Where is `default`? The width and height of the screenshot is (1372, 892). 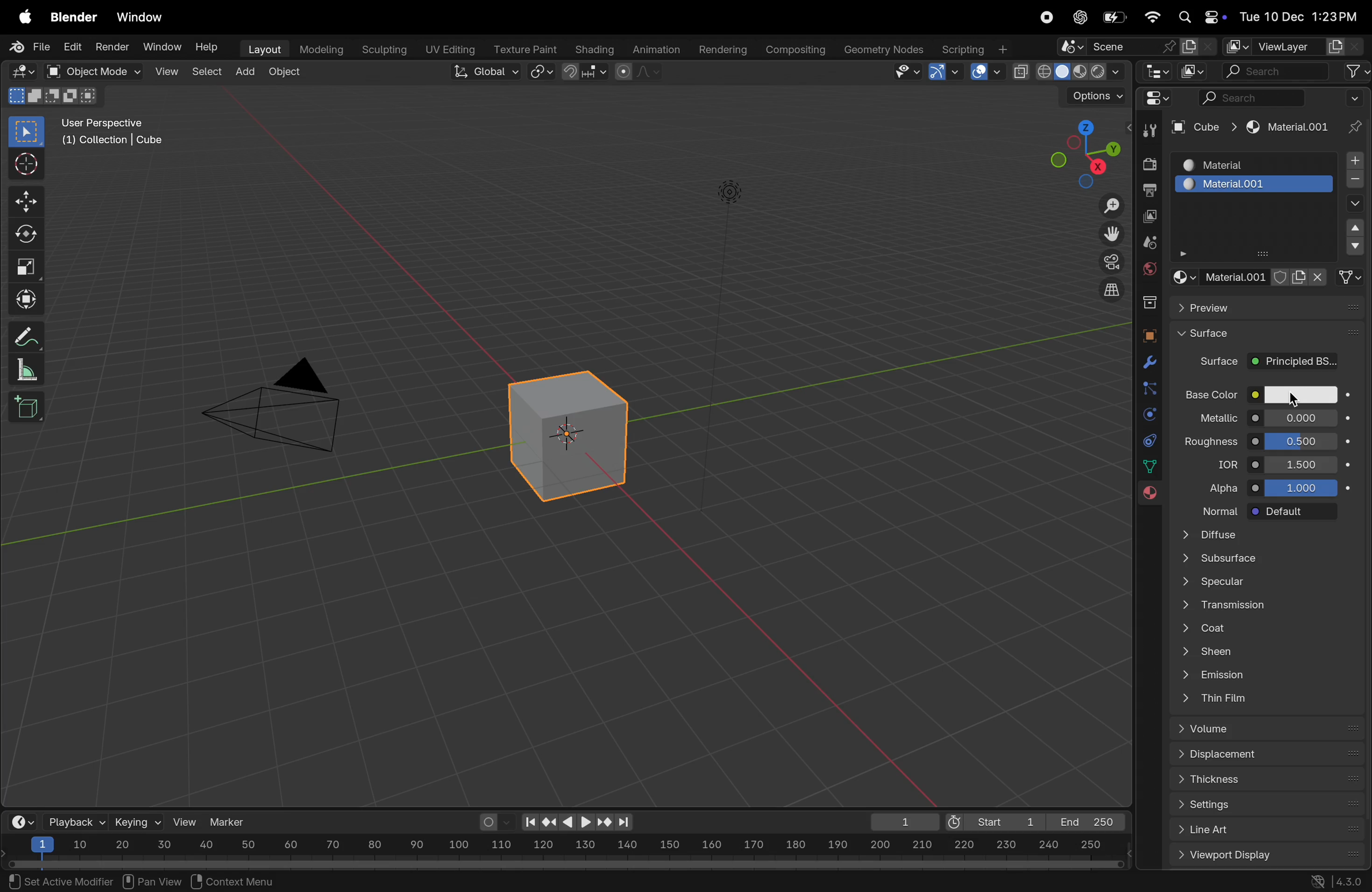 default is located at coordinates (1294, 512).